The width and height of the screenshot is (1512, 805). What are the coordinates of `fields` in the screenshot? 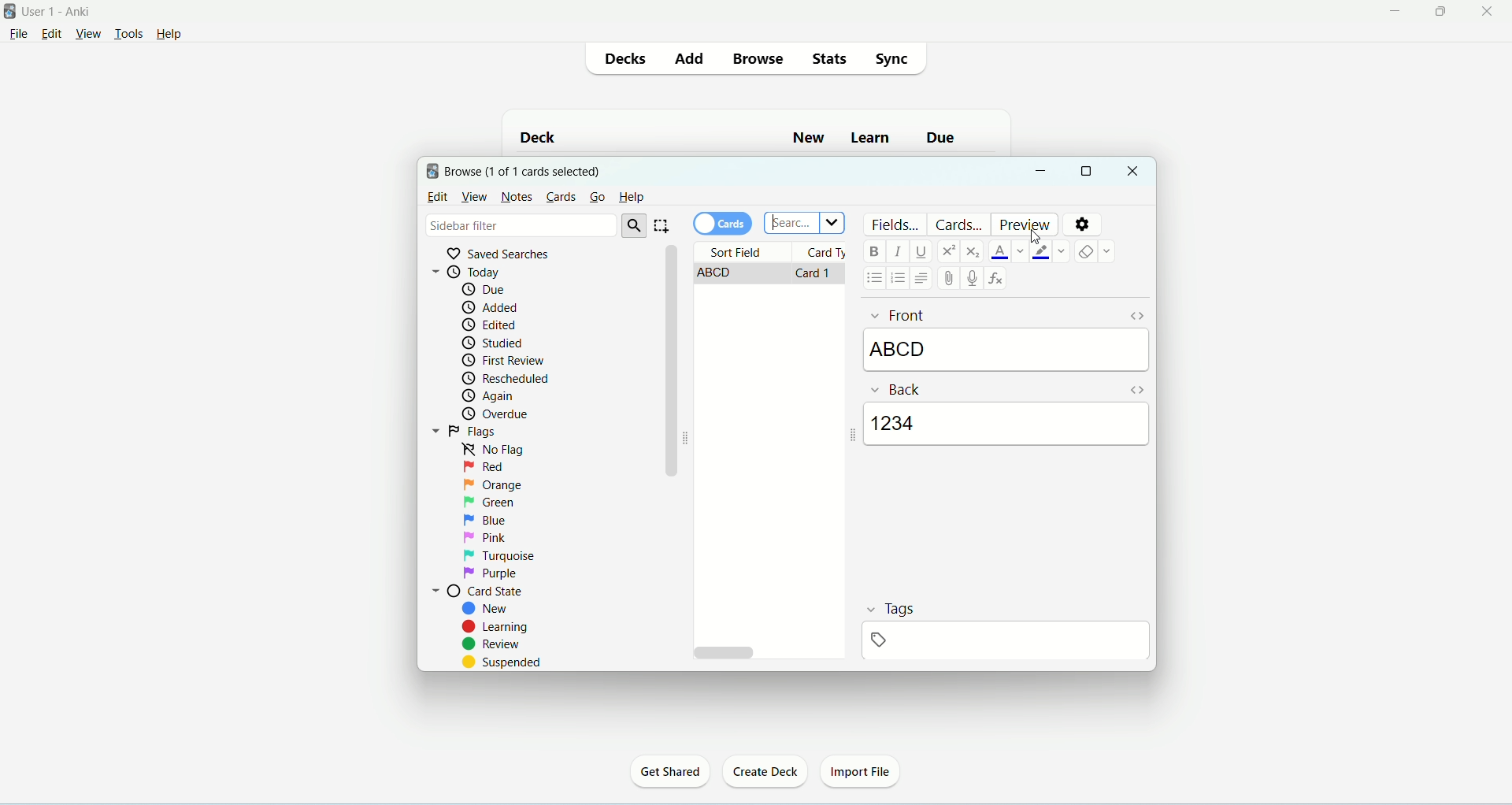 It's located at (895, 223).